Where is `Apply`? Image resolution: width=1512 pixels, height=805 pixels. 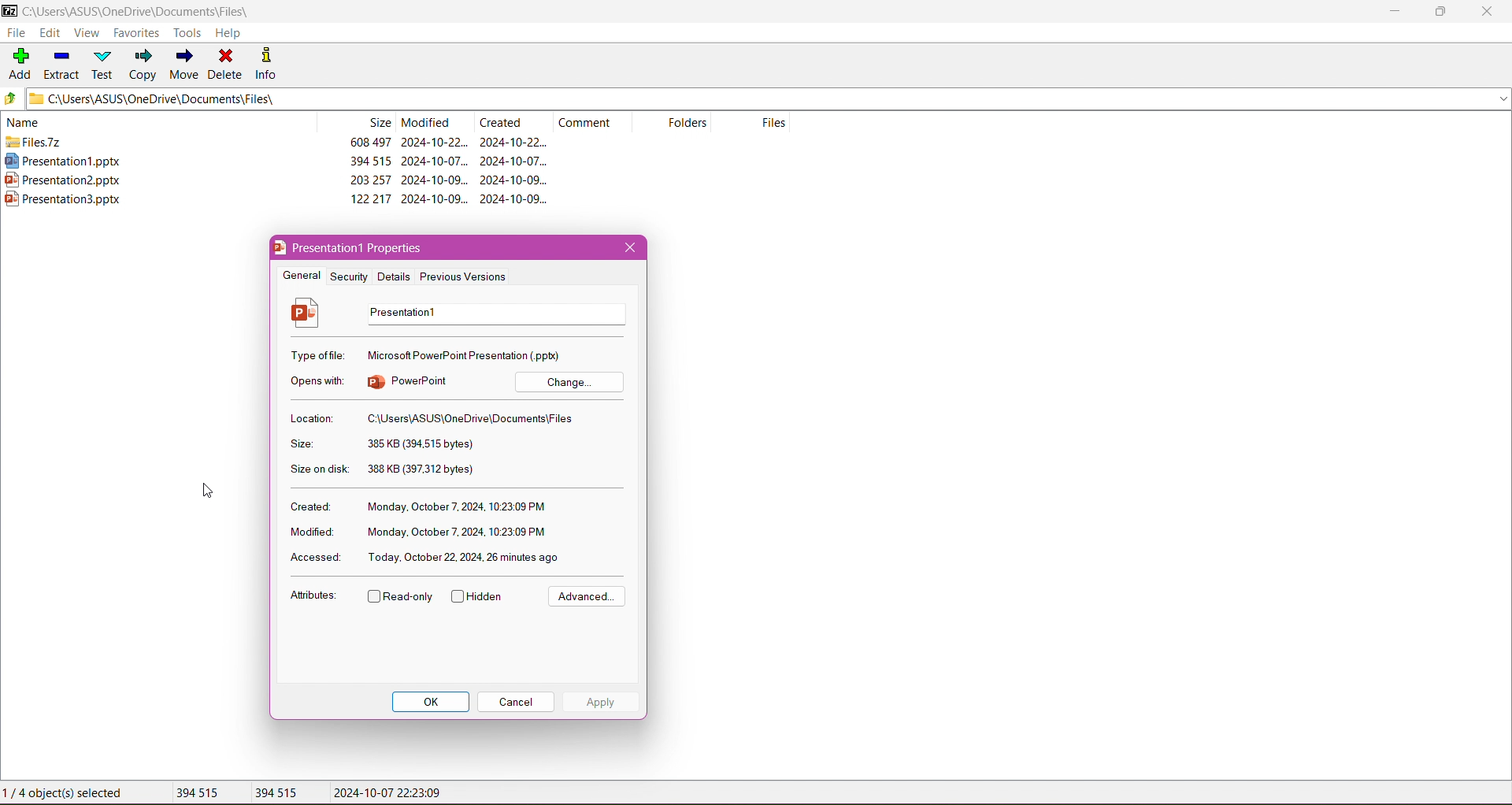
Apply is located at coordinates (604, 703).